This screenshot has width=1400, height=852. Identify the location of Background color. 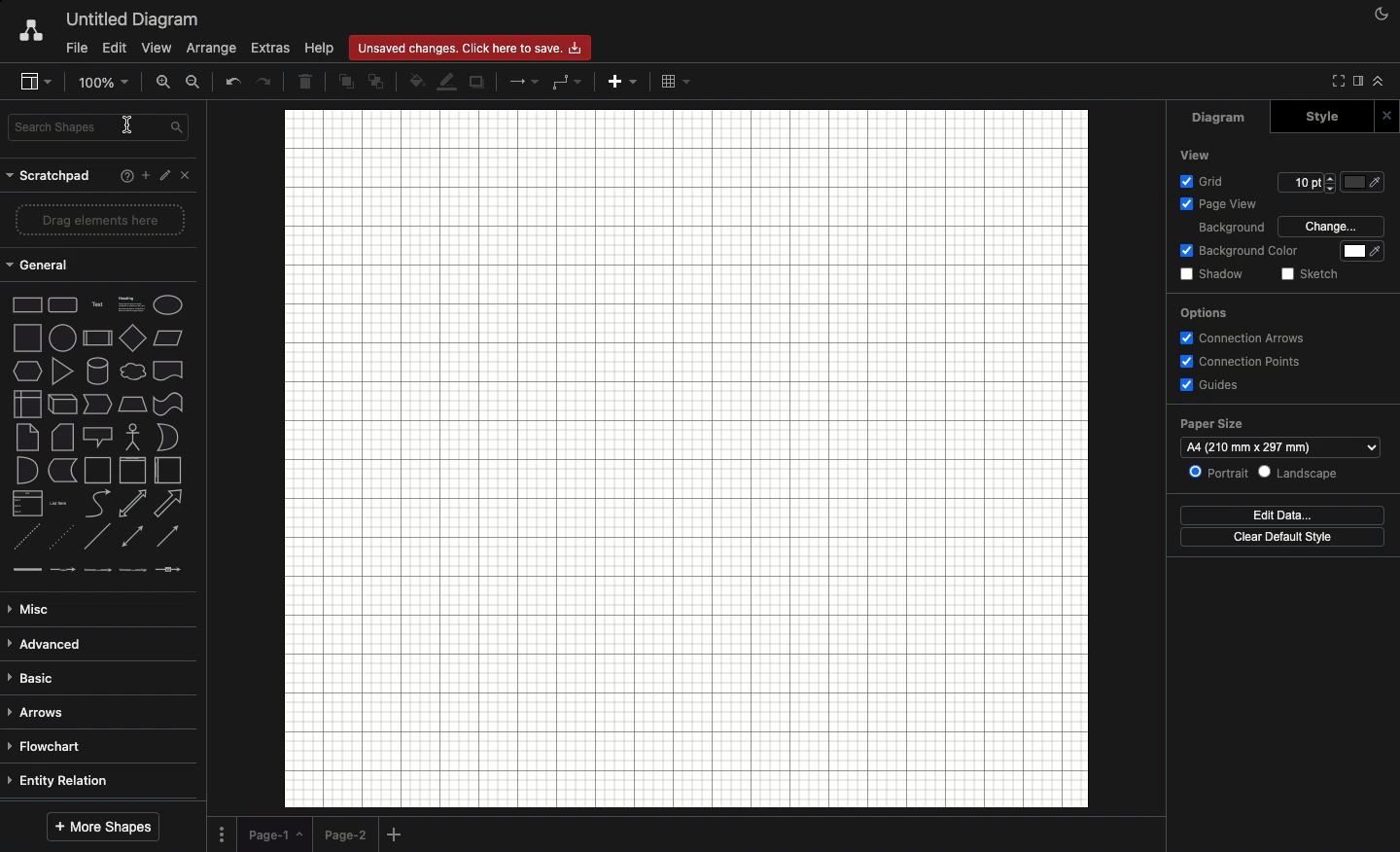
(1241, 252).